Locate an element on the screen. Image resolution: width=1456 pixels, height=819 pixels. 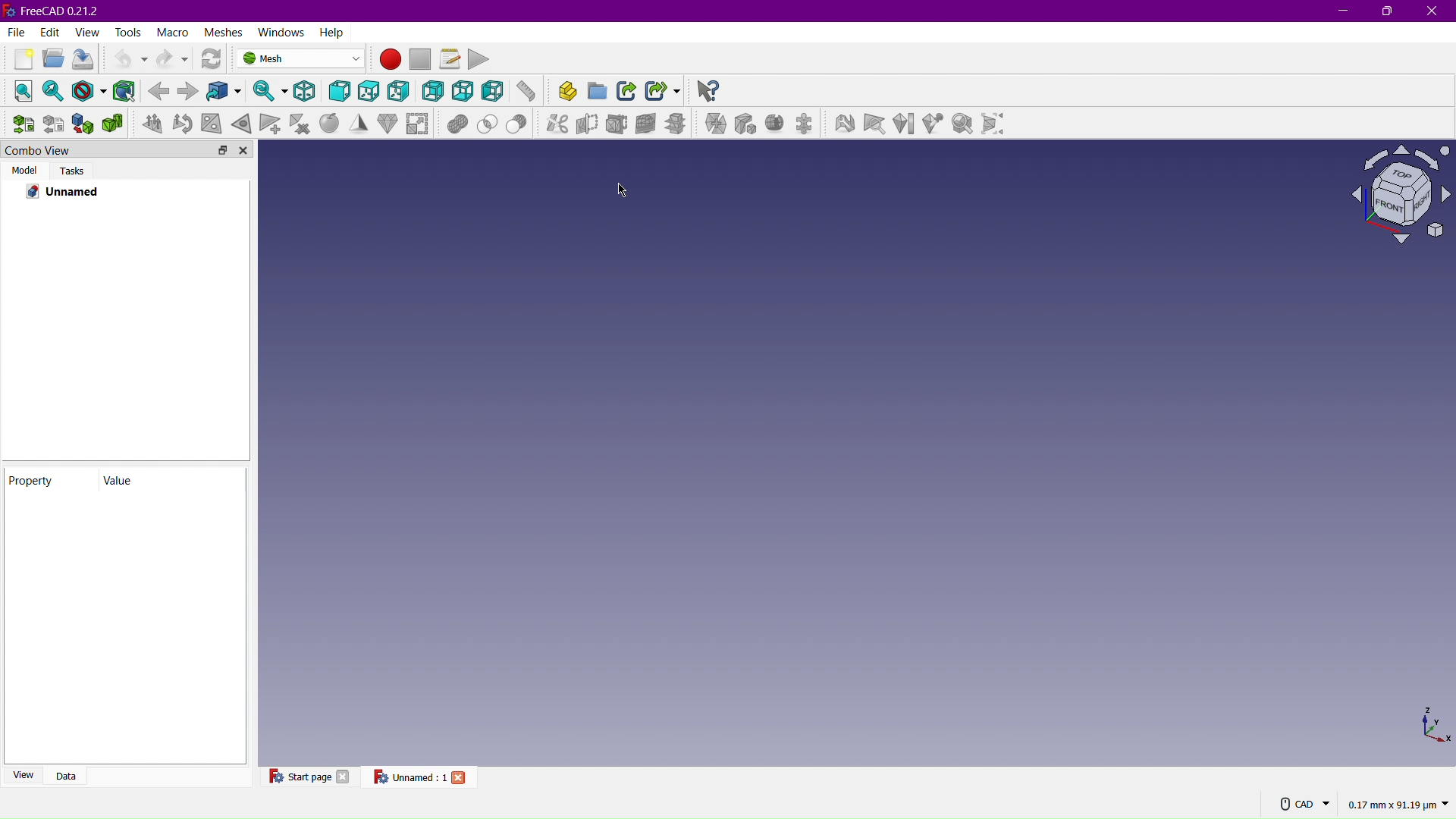
Open is located at coordinates (50, 61).